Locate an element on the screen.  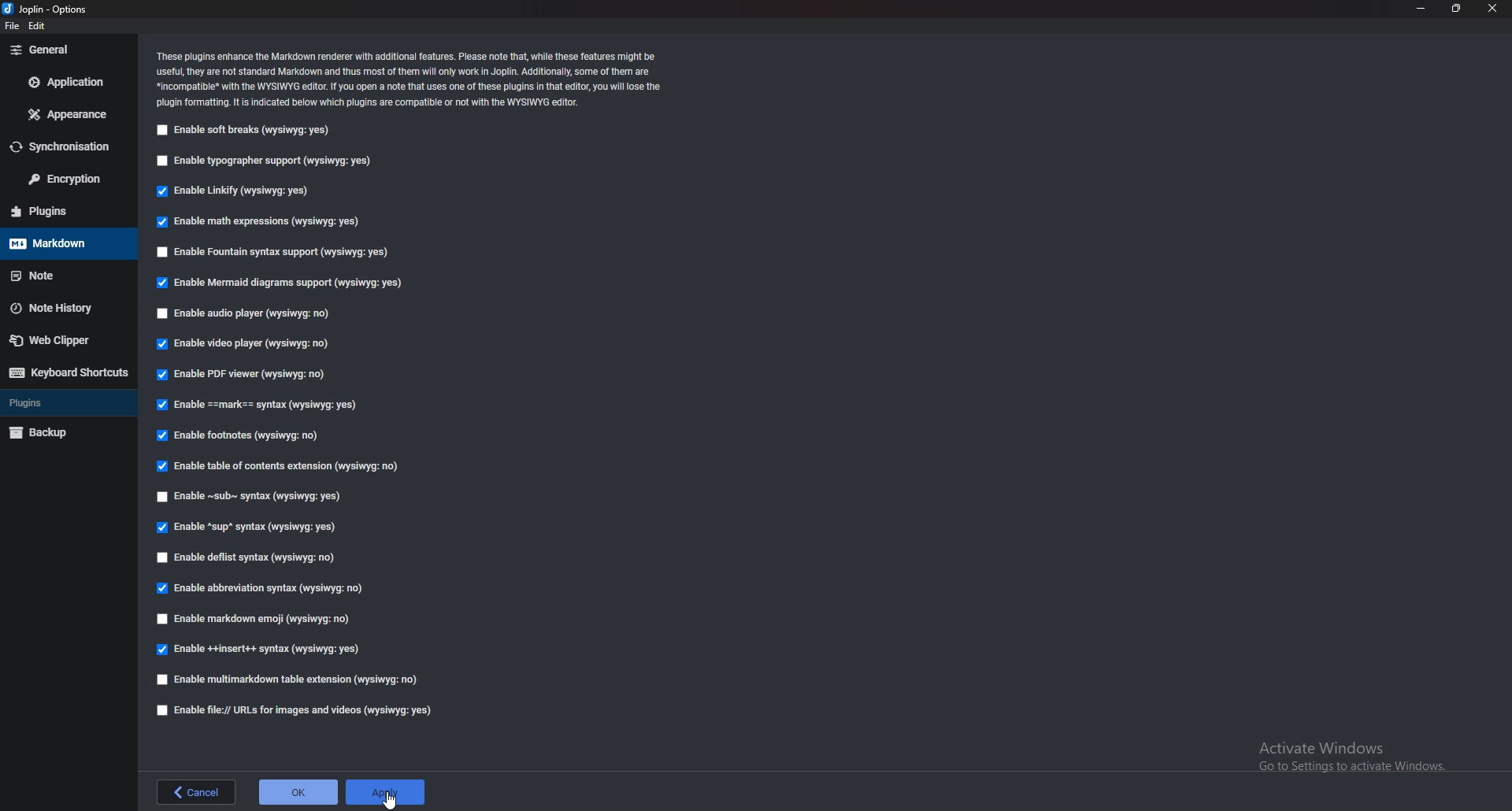
enable markdown emoji is located at coordinates (258, 618).